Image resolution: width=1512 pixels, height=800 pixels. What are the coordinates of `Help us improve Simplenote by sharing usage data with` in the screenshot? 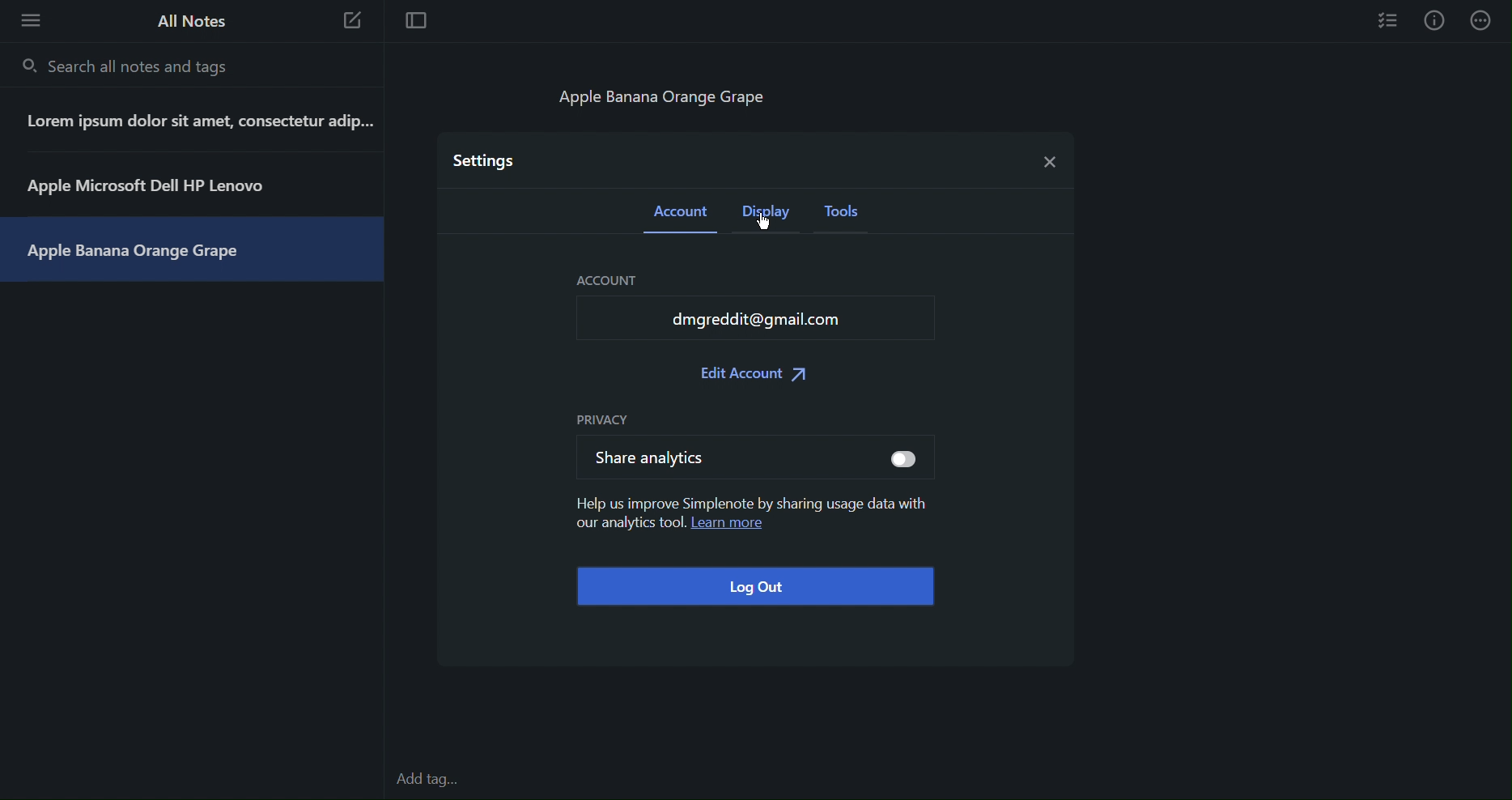 It's located at (750, 498).